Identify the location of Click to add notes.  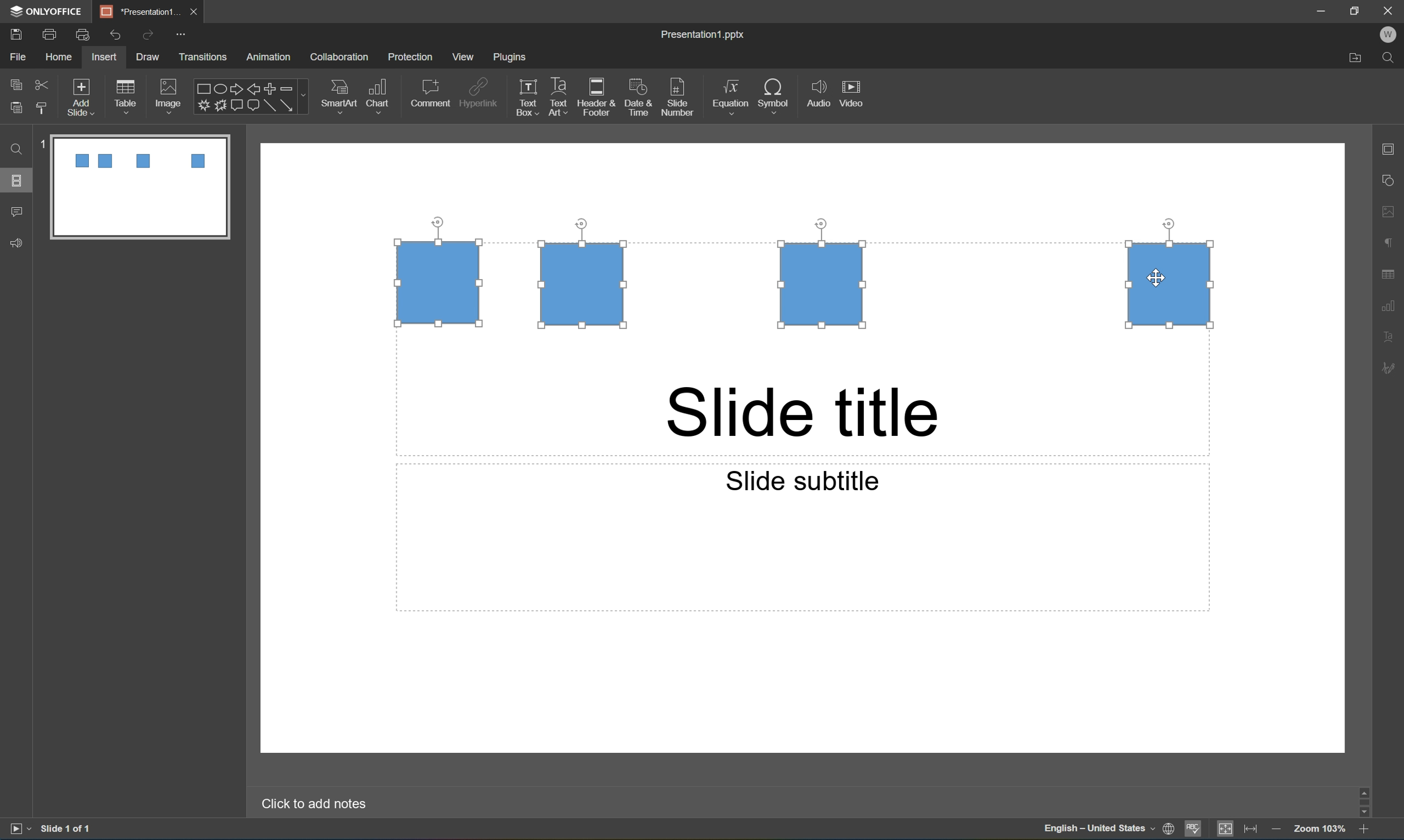
(318, 804).